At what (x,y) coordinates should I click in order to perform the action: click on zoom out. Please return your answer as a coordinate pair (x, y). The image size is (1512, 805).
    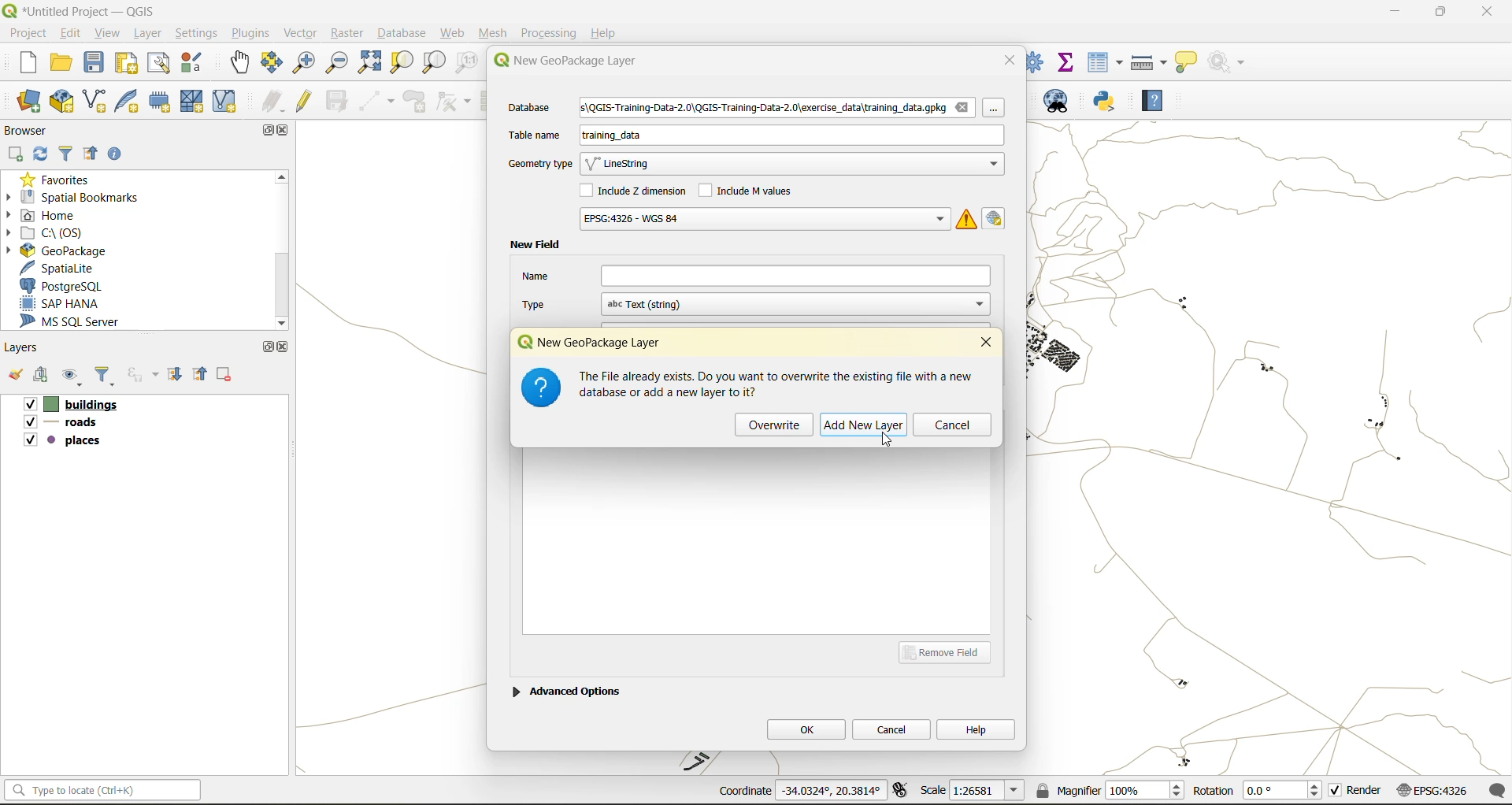
    Looking at the image, I should click on (335, 65).